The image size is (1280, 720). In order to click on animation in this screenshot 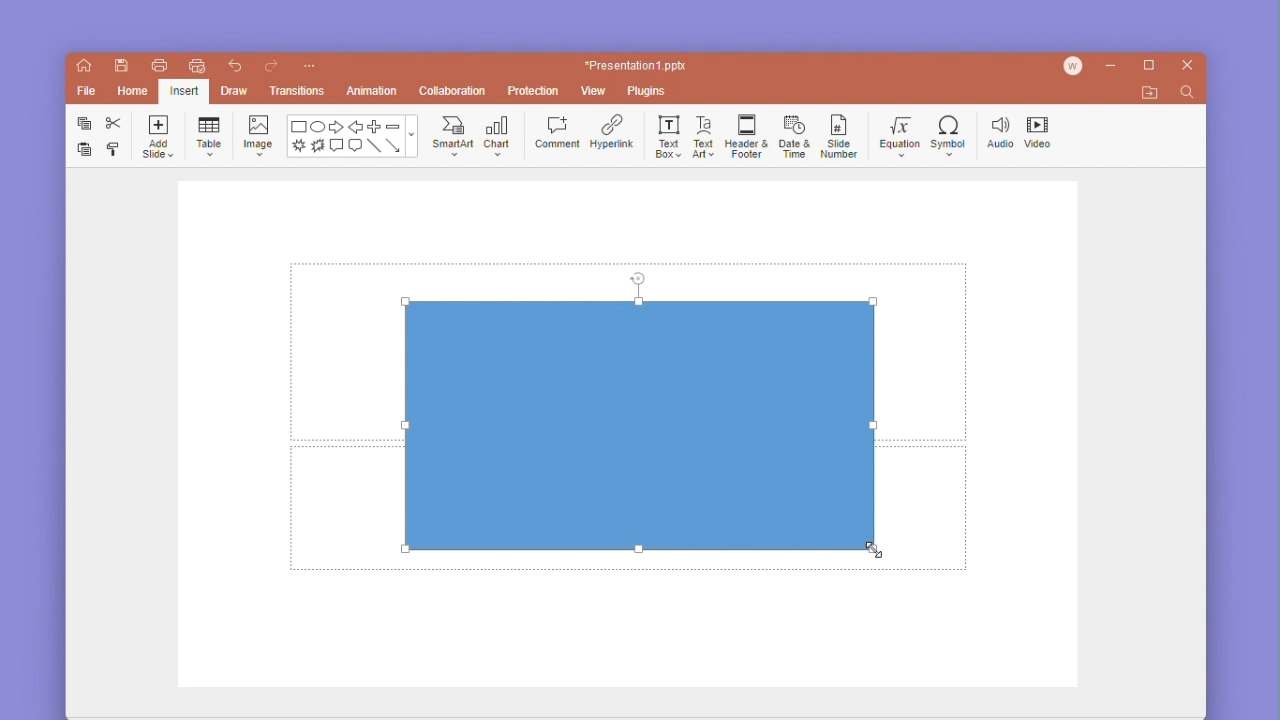, I will do `click(372, 90)`.